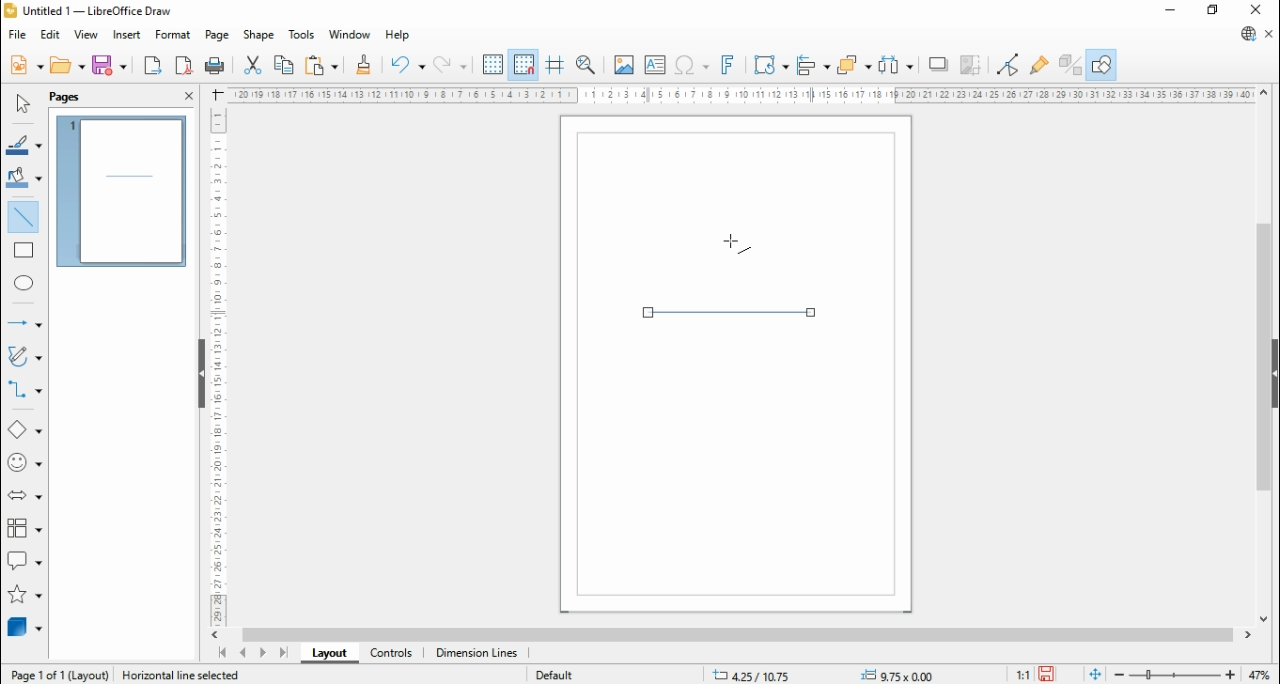 Image resolution: width=1280 pixels, height=684 pixels. Describe the element at coordinates (65, 98) in the screenshot. I see `page` at that location.